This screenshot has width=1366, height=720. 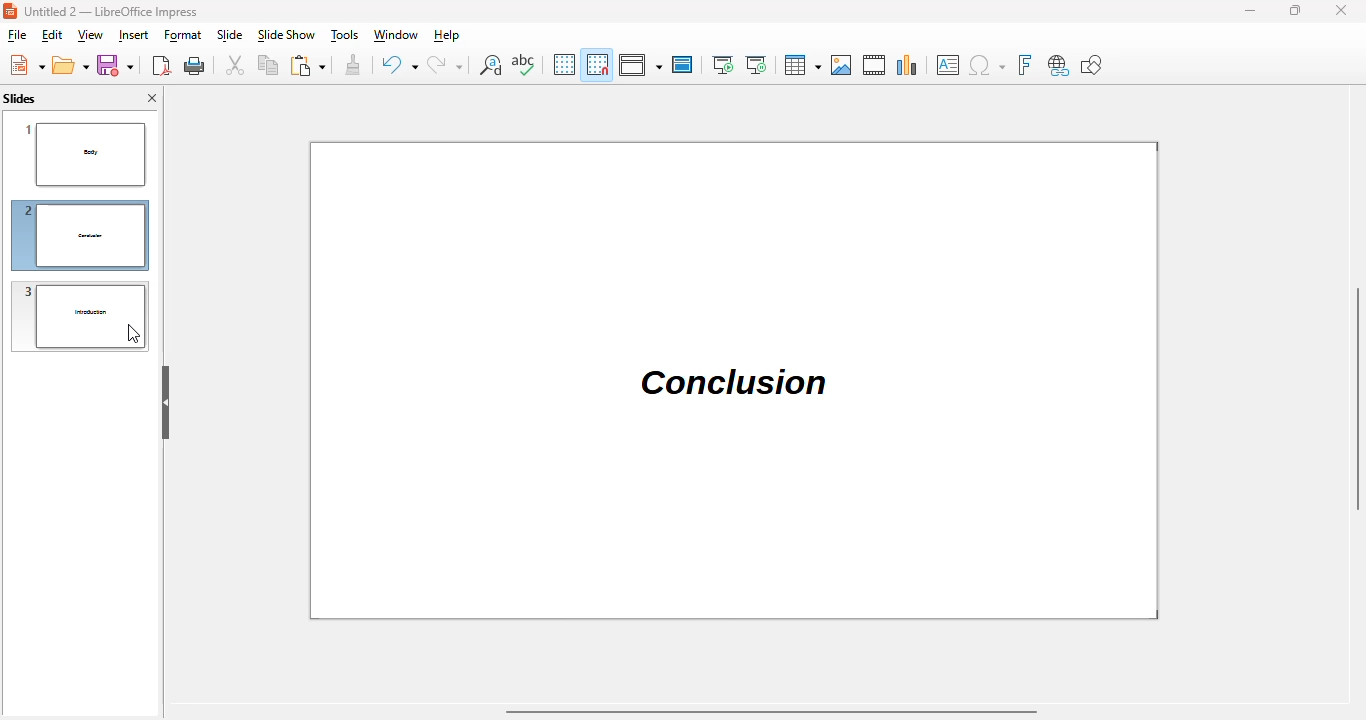 I want to click on slide 3, so click(x=81, y=316).